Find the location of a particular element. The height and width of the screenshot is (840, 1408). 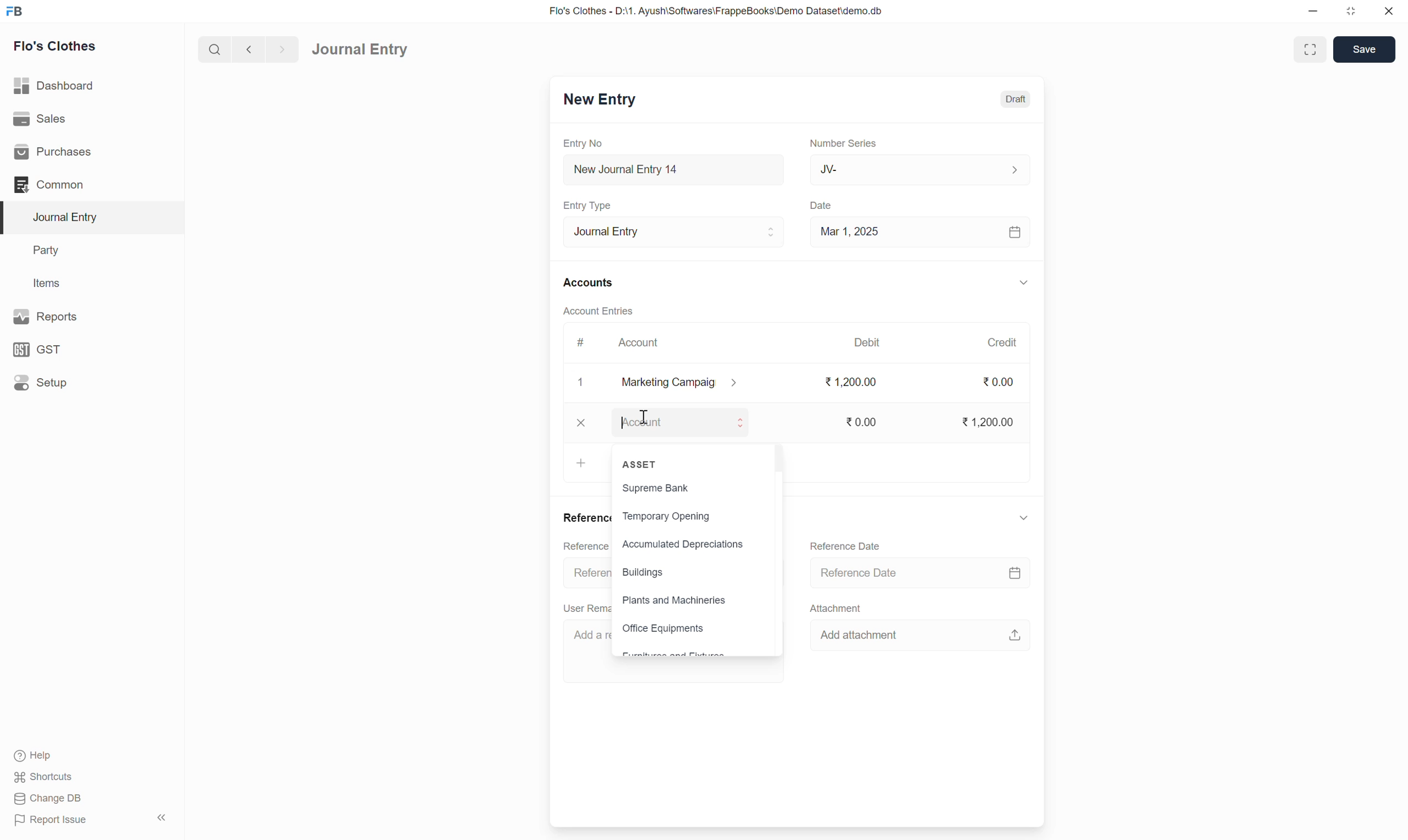

JV- is located at coordinates (921, 169).